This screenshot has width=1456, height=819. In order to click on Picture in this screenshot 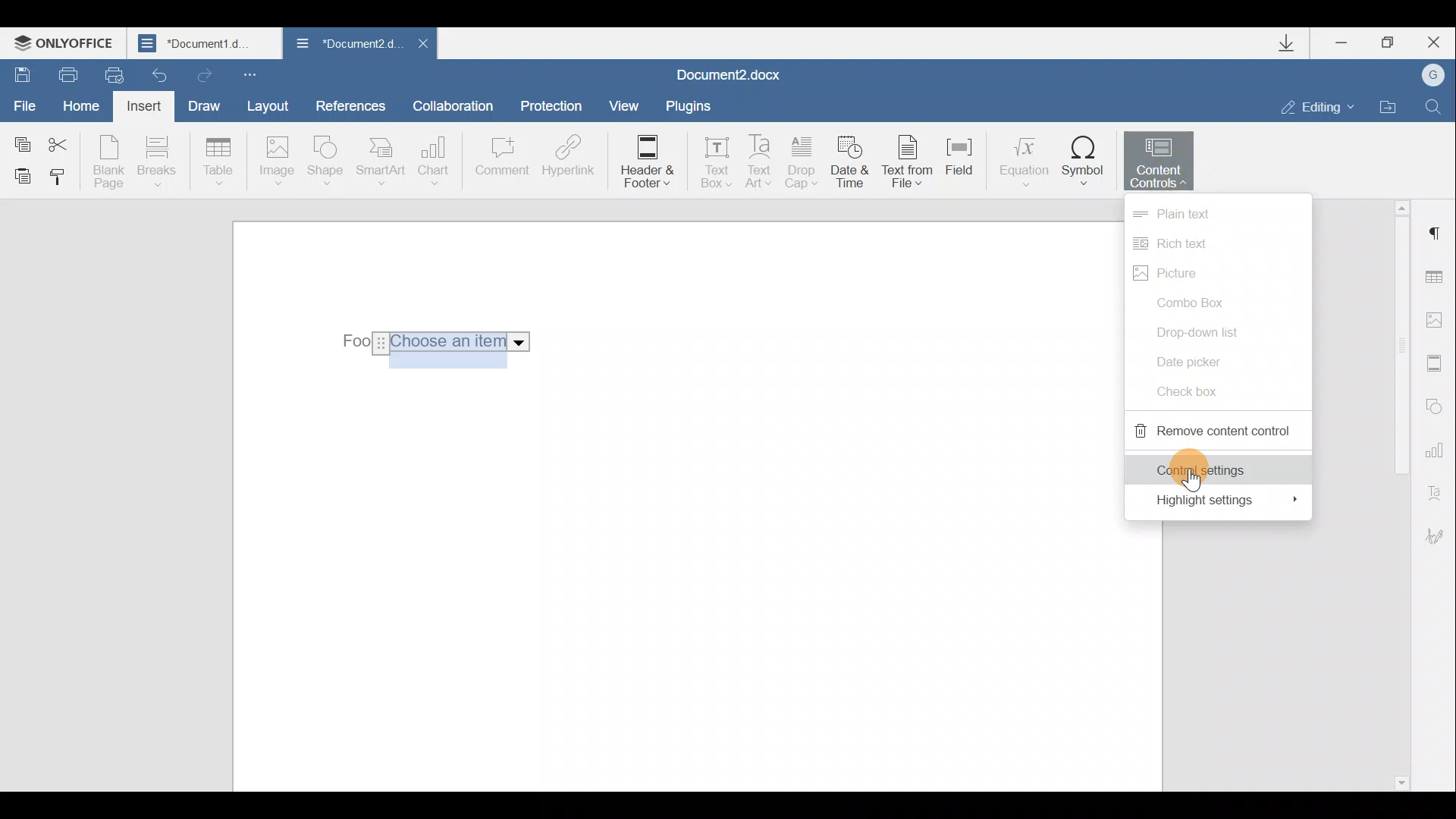, I will do `click(1193, 275)`.